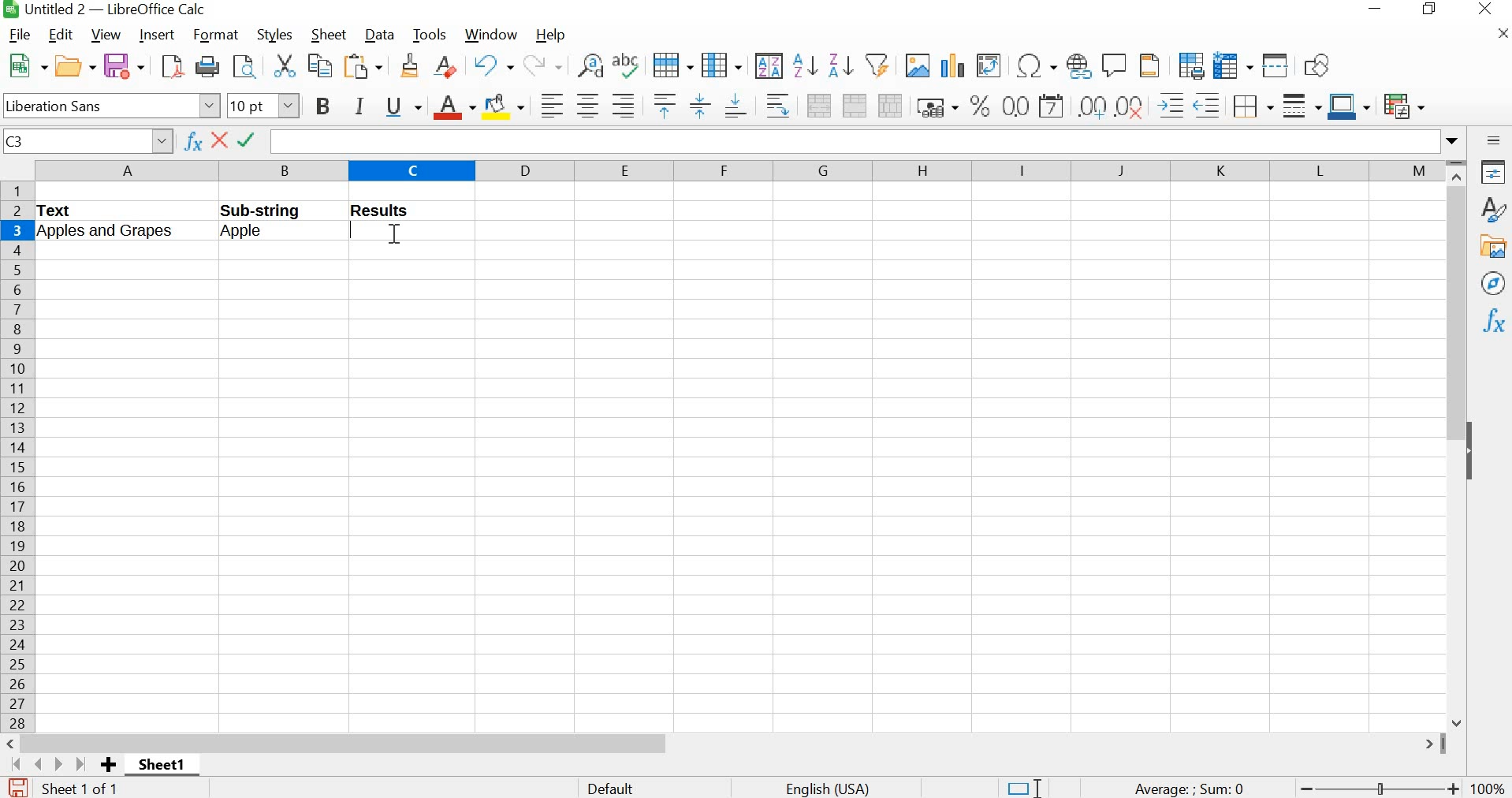  Describe the element at coordinates (244, 66) in the screenshot. I see `toggle print preview` at that location.